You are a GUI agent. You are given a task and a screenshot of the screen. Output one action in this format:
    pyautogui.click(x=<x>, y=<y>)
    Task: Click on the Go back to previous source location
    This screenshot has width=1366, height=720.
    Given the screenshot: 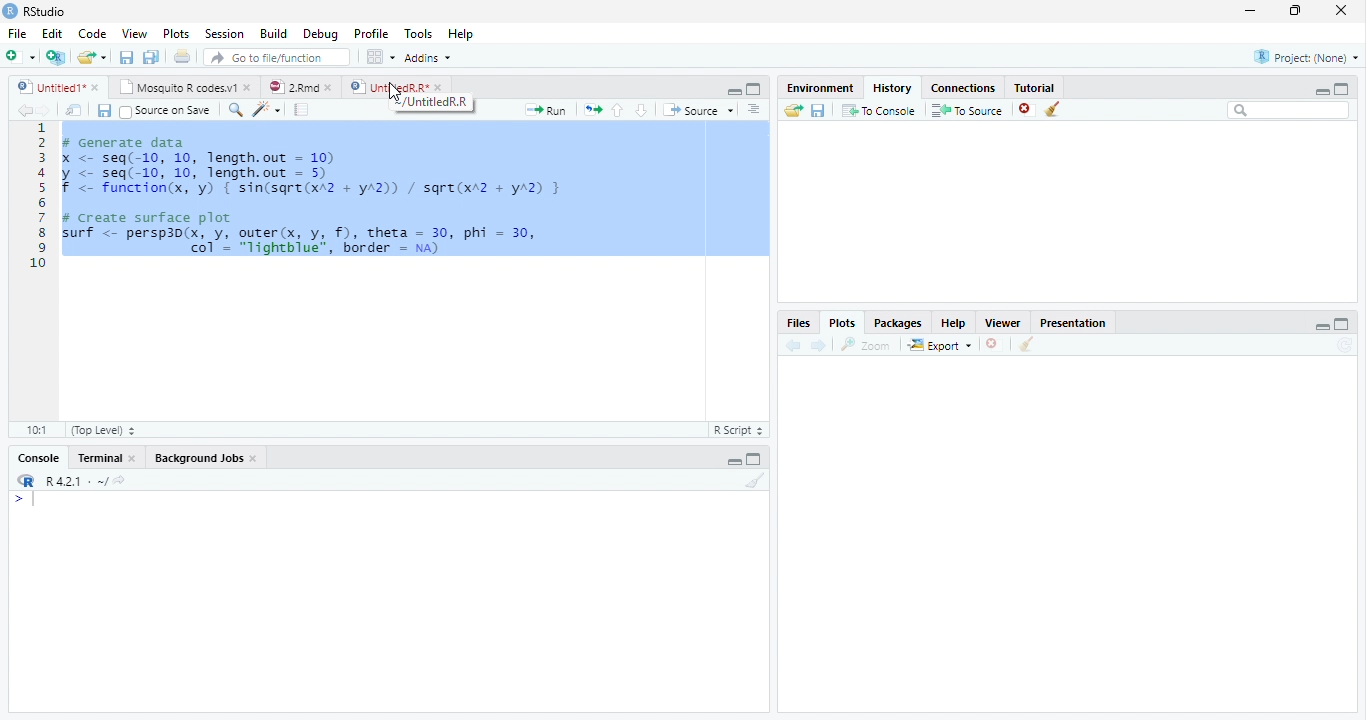 What is the action you would take?
    pyautogui.click(x=24, y=110)
    